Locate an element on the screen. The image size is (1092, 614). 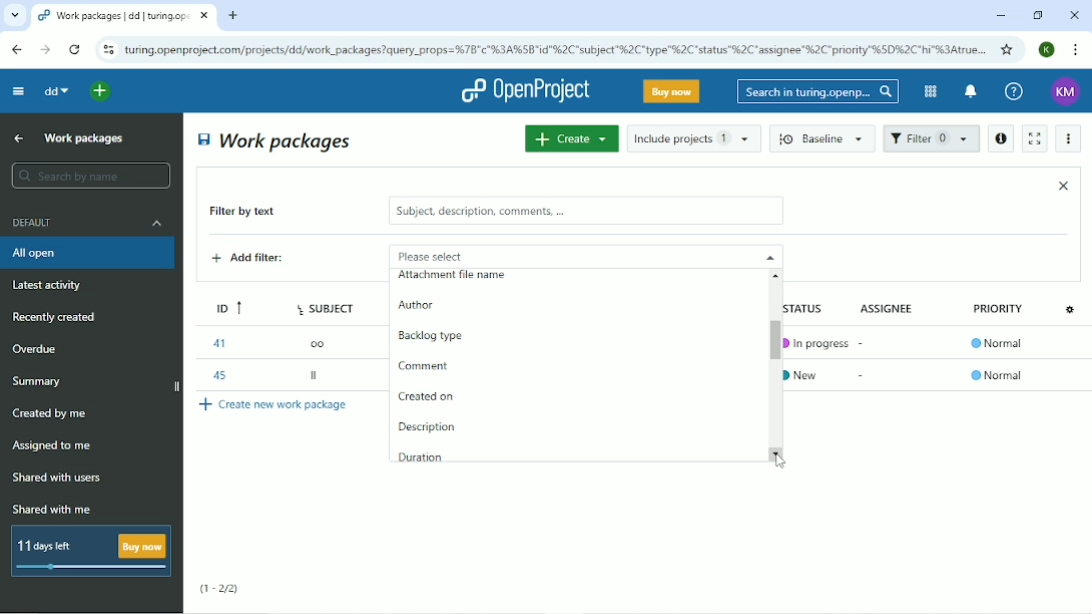
- is located at coordinates (863, 375).